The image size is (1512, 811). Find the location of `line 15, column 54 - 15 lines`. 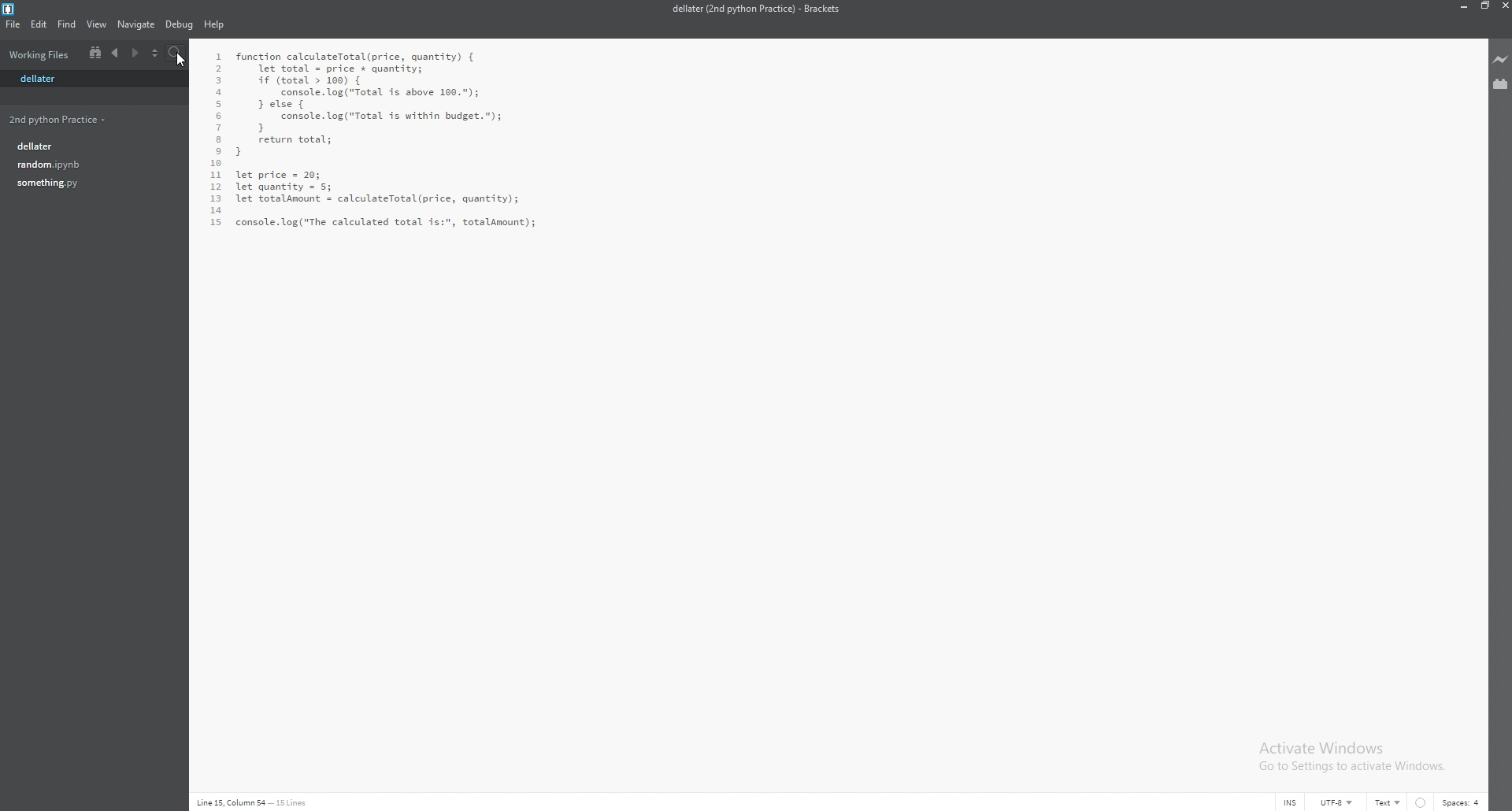

line 15, column 54 - 15 lines is located at coordinates (254, 802).